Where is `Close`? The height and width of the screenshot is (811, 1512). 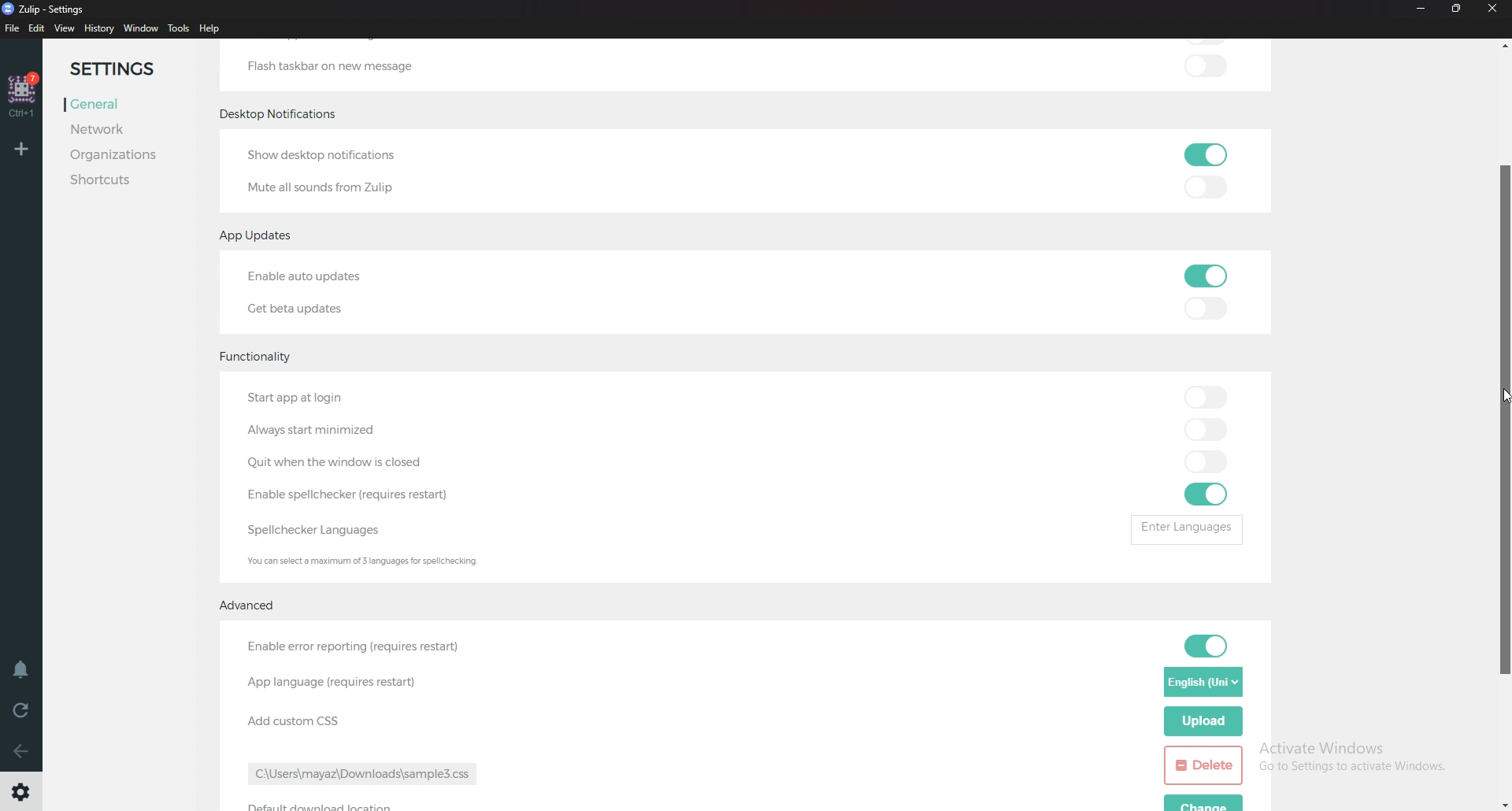
Close is located at coordinates (1493, 8).